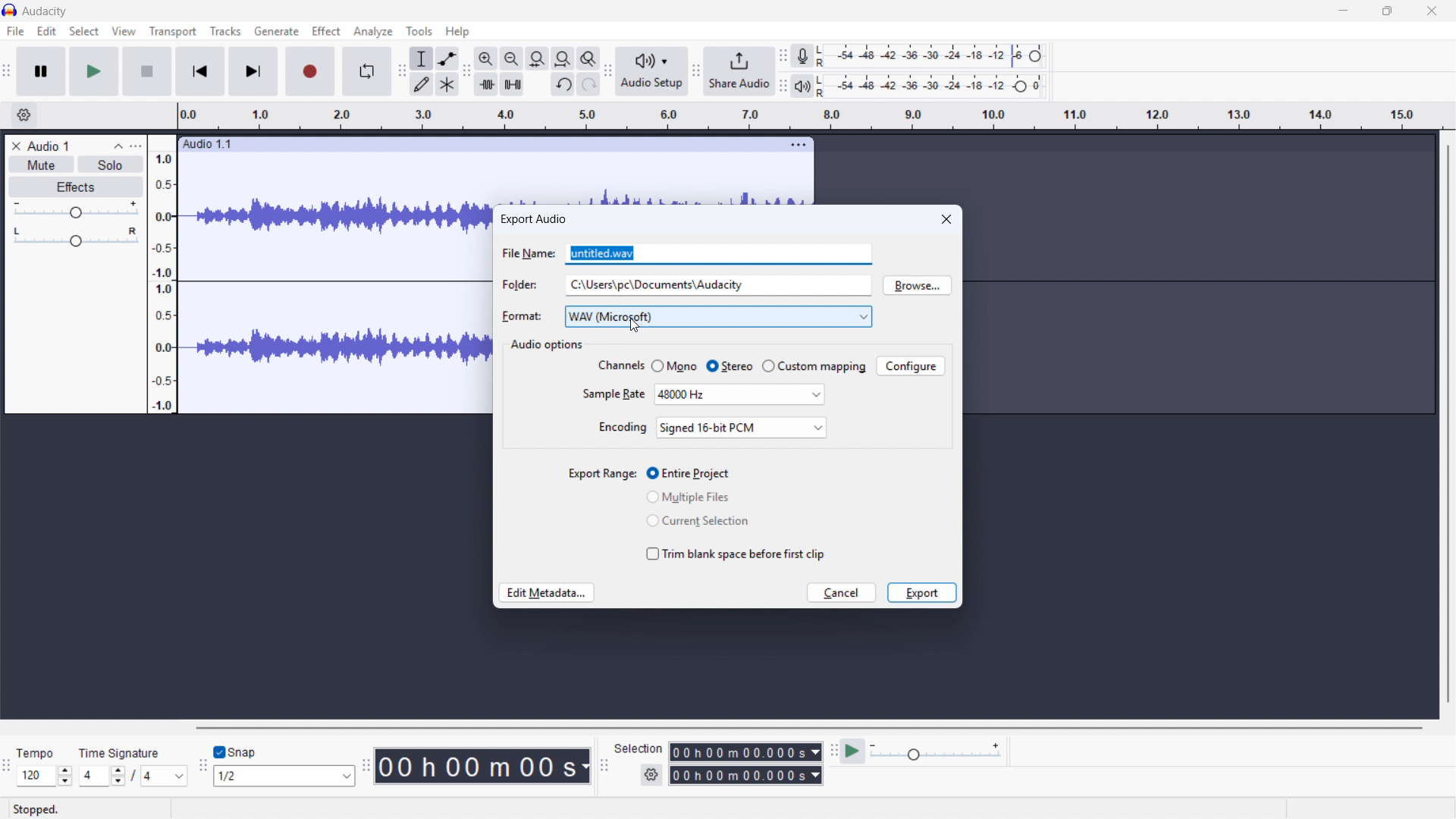 The height and width of the screenshot is (819, 1456). I want to click on Export audio , so click(533, 219).